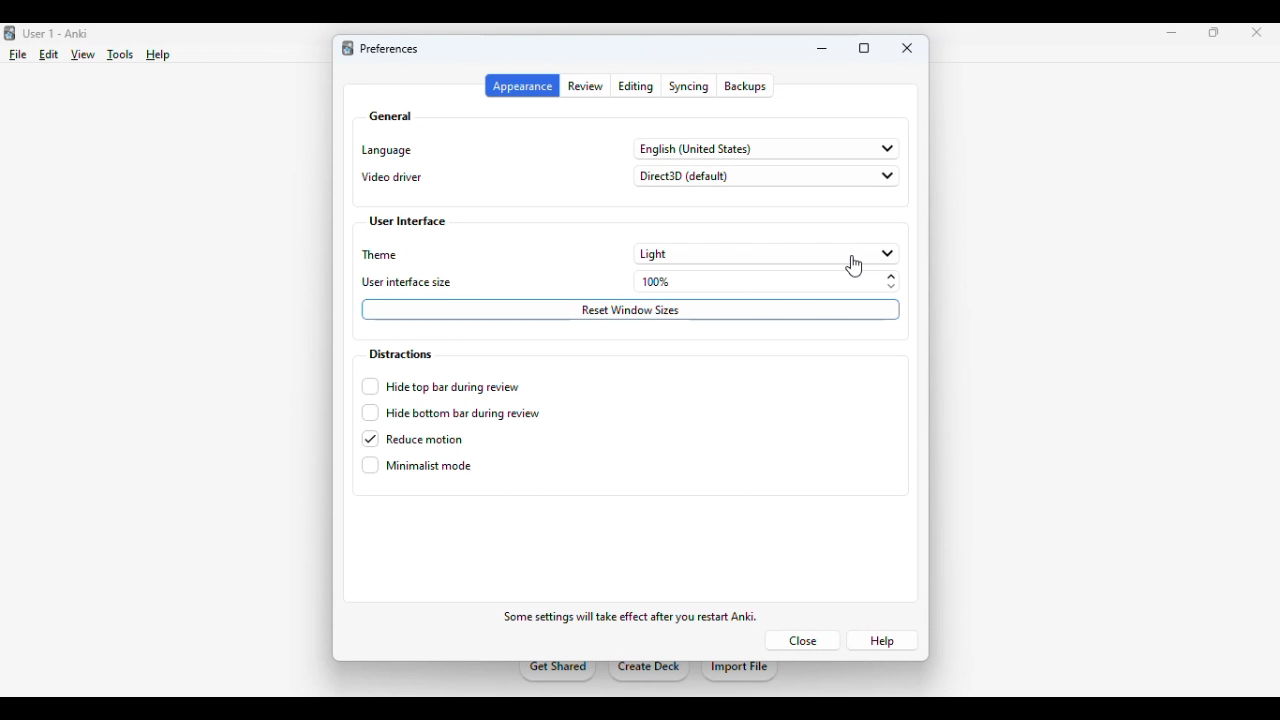  Describe the element at coordinates (823, 49) in the screenshot. I see `minimize` at that location.